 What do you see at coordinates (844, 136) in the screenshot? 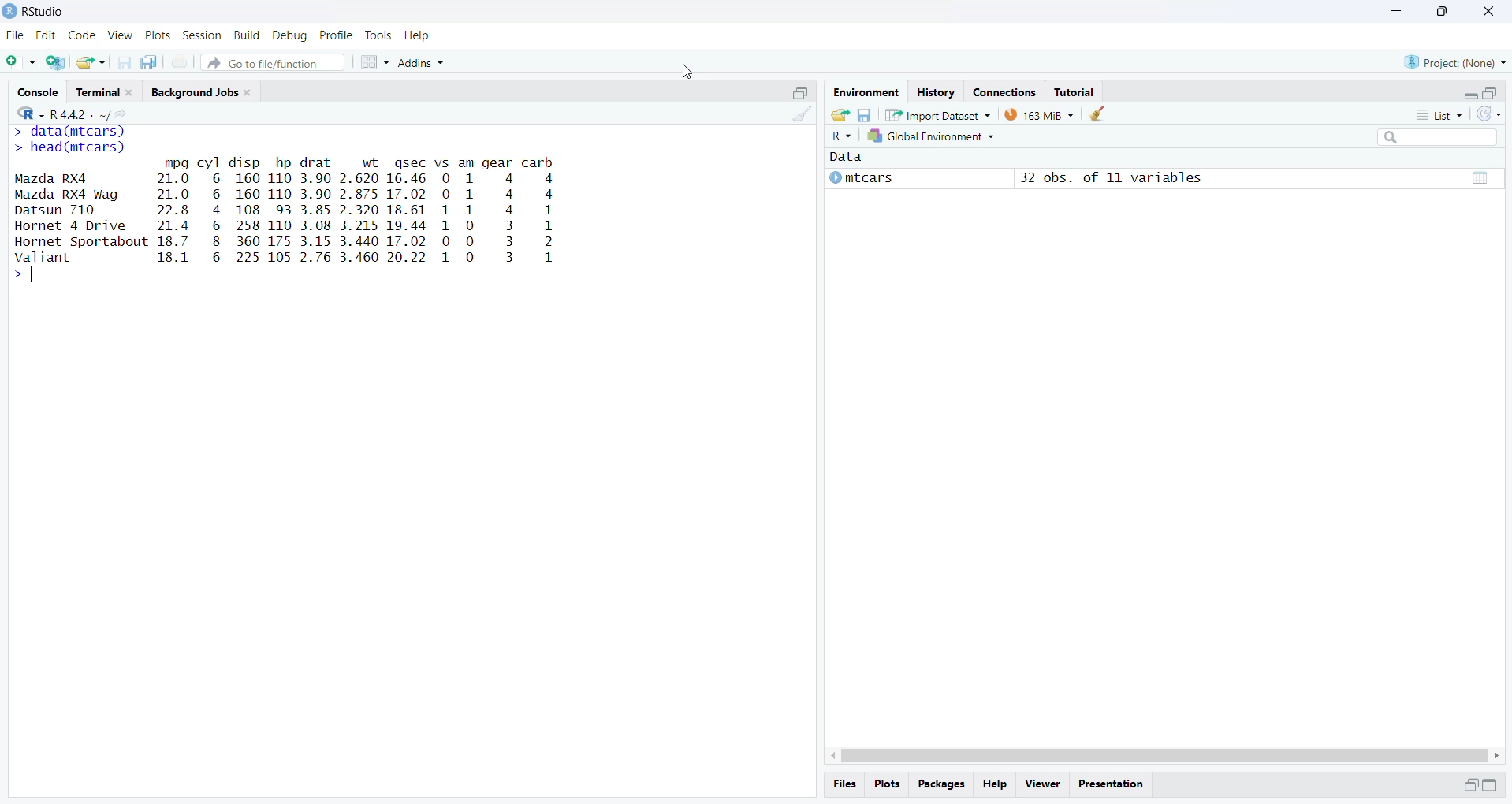
I see `R~` at bounding box center [844, 136].